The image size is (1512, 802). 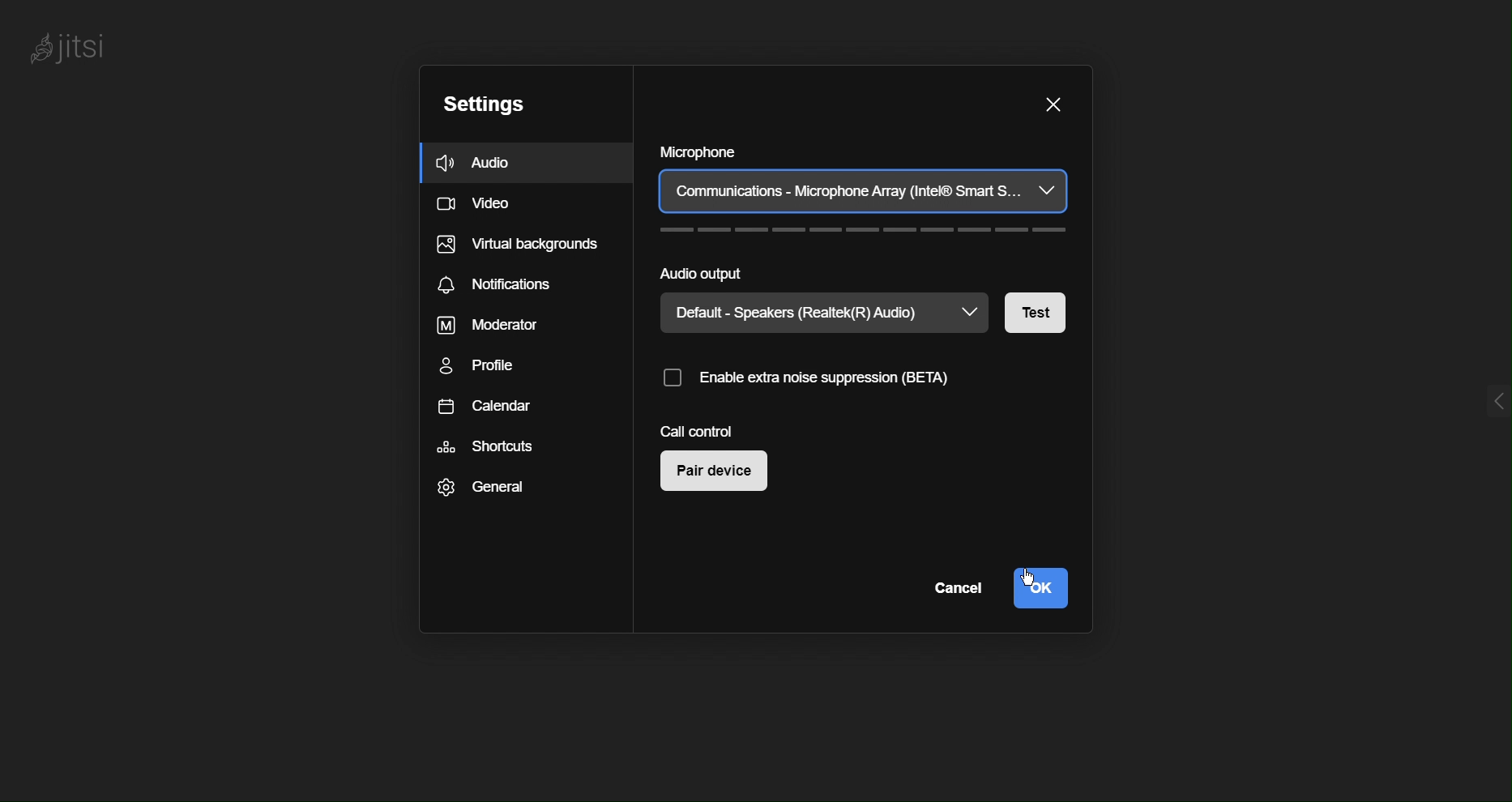 What do you see at coordinates (489, 411) in the screenshot?
I see `Calendar` at bounding box center [489, 411].